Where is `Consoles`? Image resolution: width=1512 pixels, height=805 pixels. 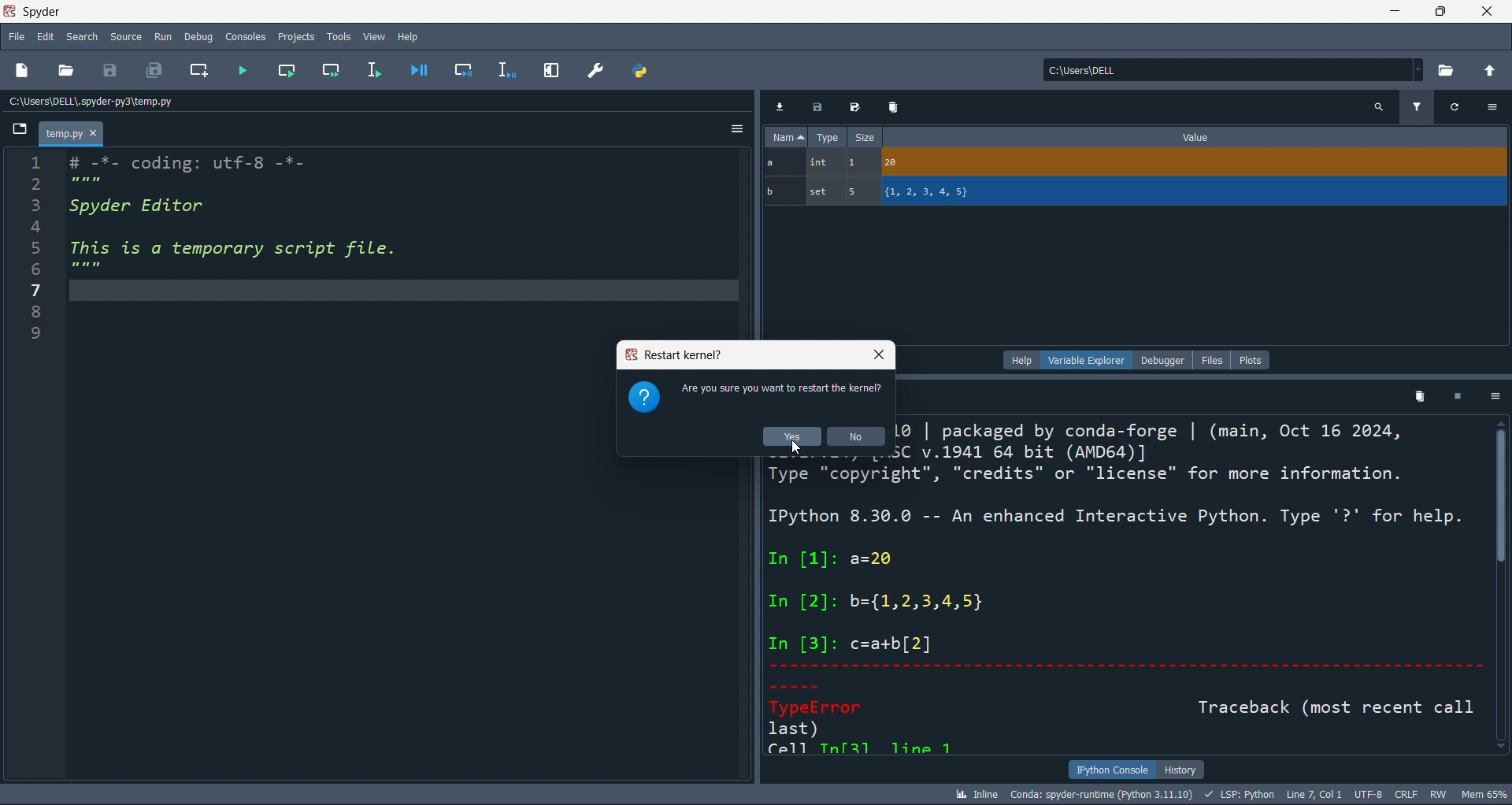 Consoles is located at coordinates (247, 38).